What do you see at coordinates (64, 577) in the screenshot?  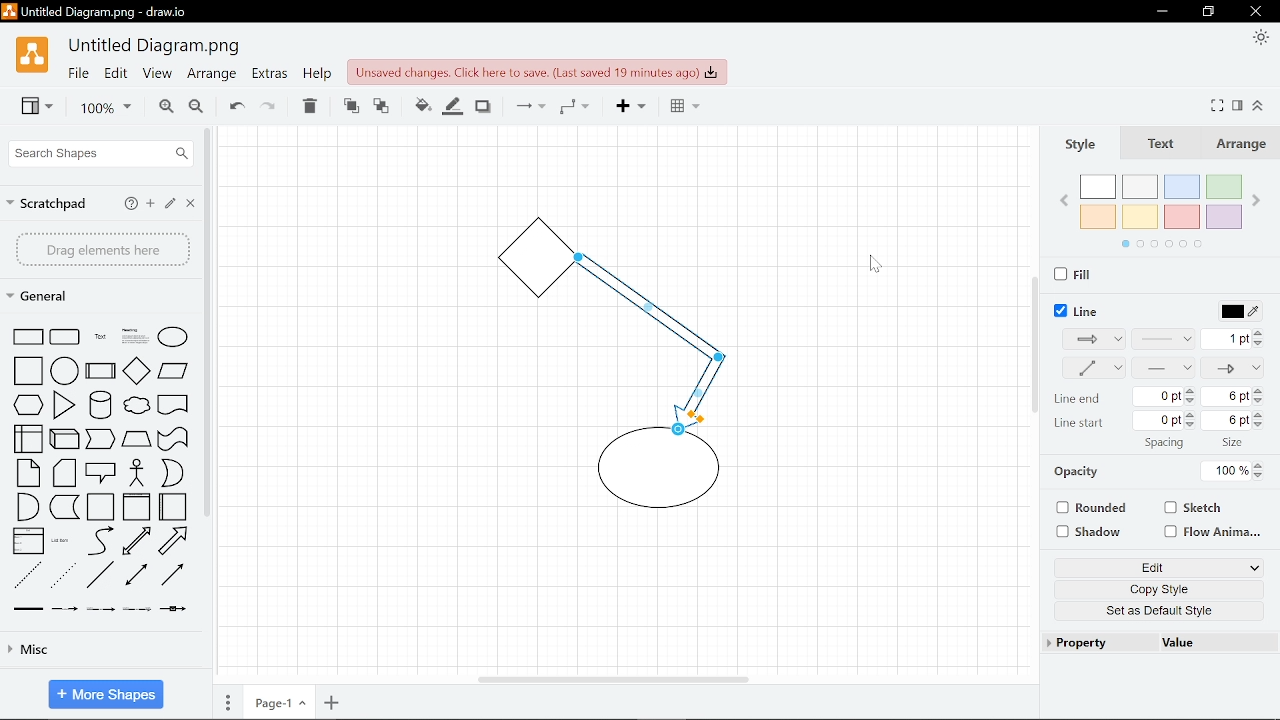 I see `shape` at bounding box center [64, 577].